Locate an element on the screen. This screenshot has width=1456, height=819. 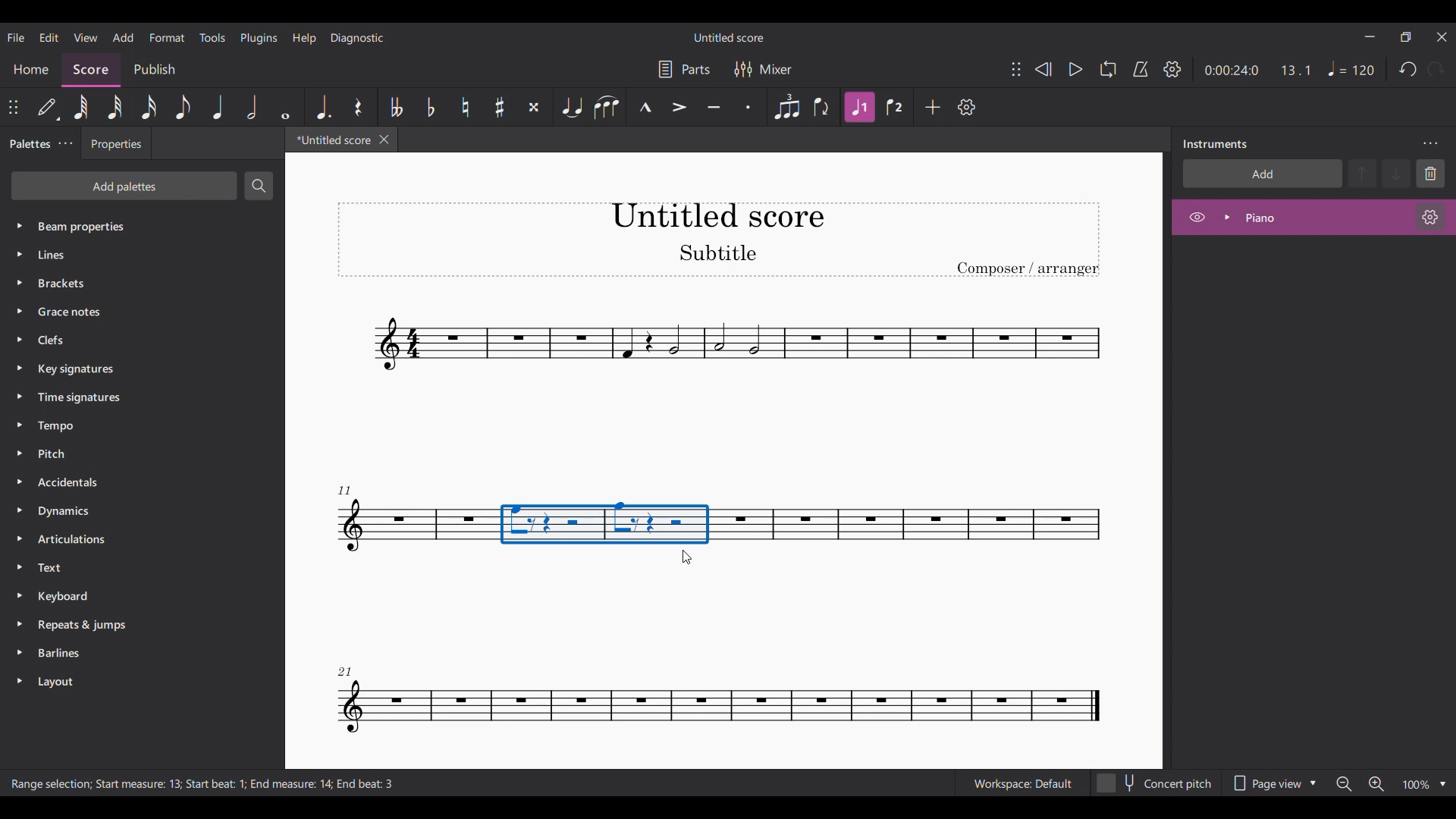
Current score is located at coordinates (329, 143).